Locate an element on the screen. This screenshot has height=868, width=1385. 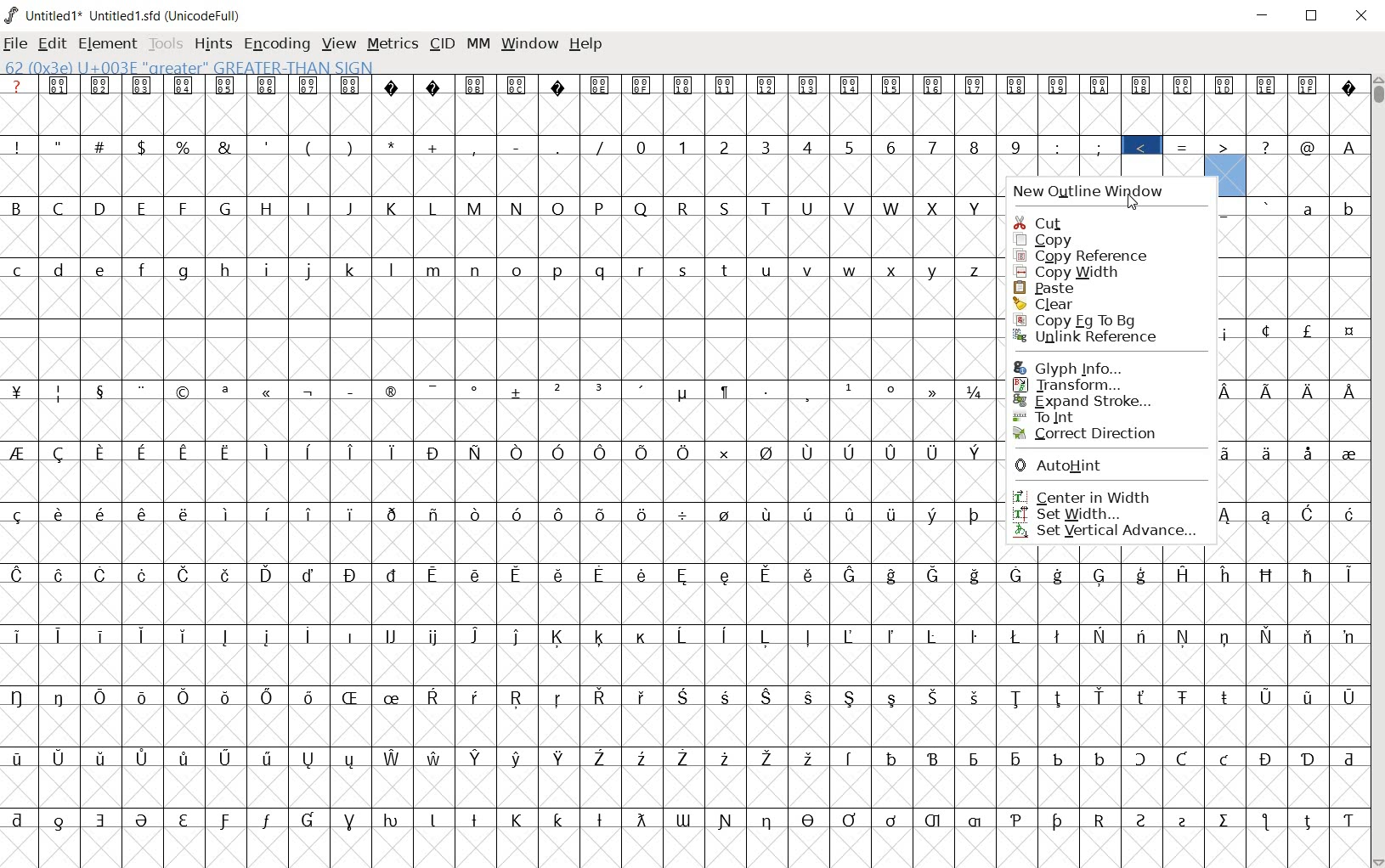
copy width is located at coordinates (1077, 273).